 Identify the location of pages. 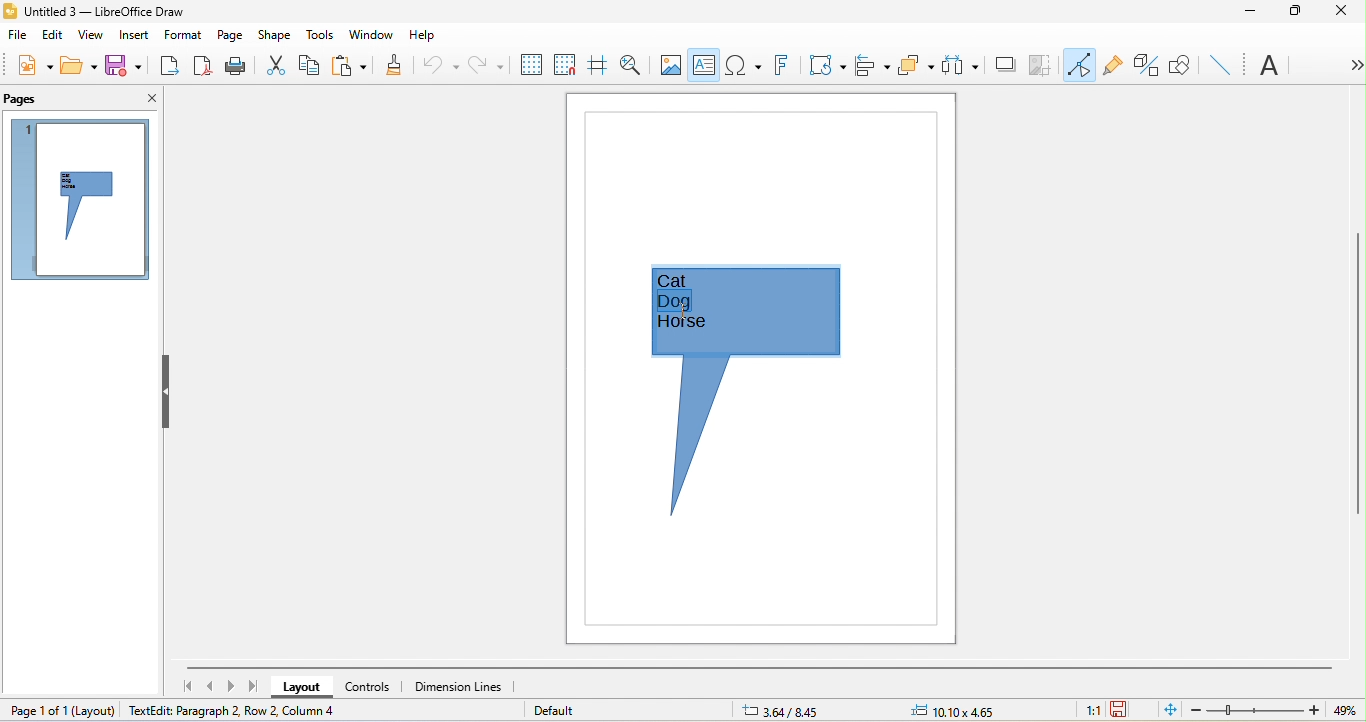
(25, 98).